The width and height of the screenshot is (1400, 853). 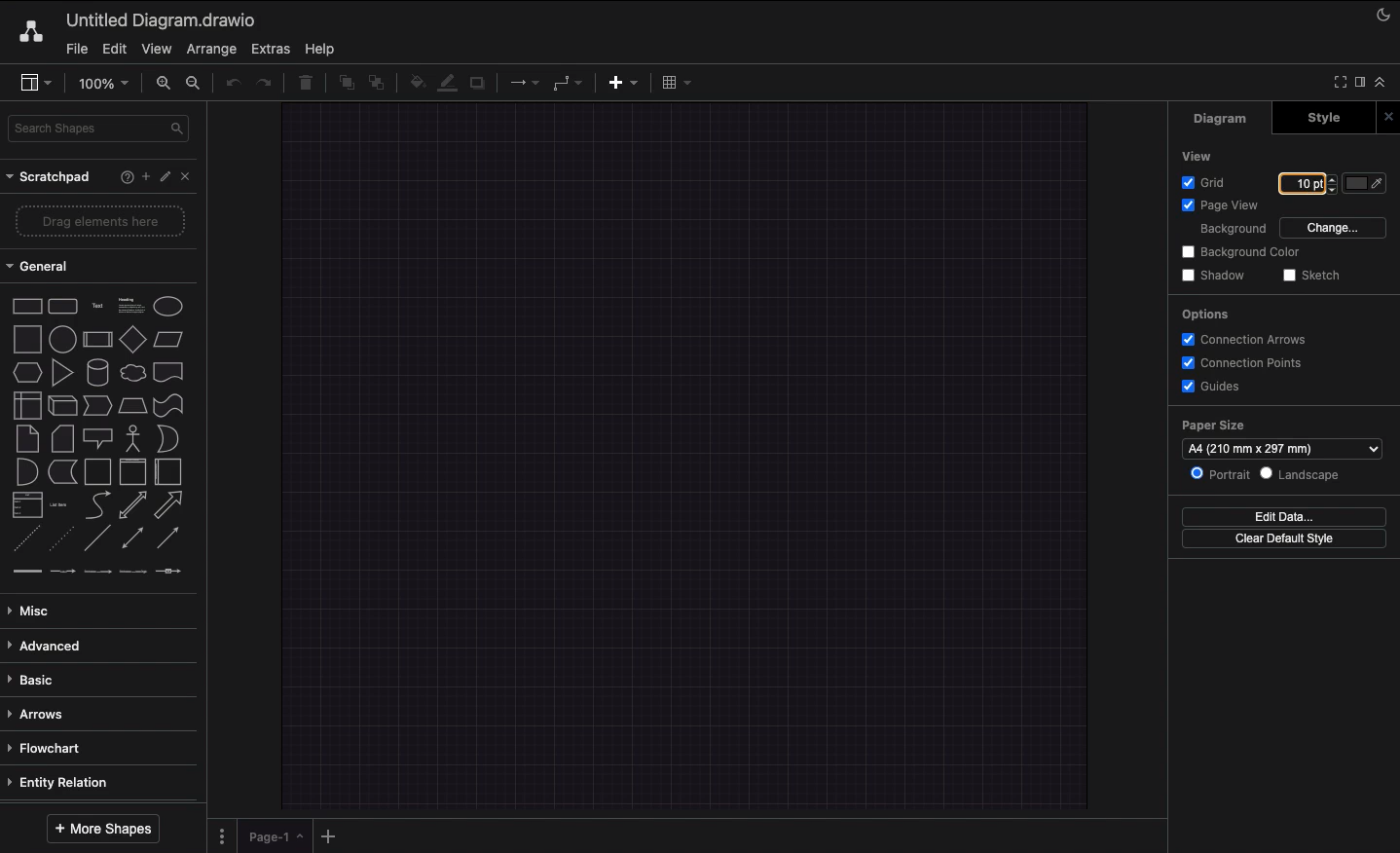 What do you see at coordinates (1339, 81) in the screenshot?
I see `Full screen` at bounding box center [1339, 81].